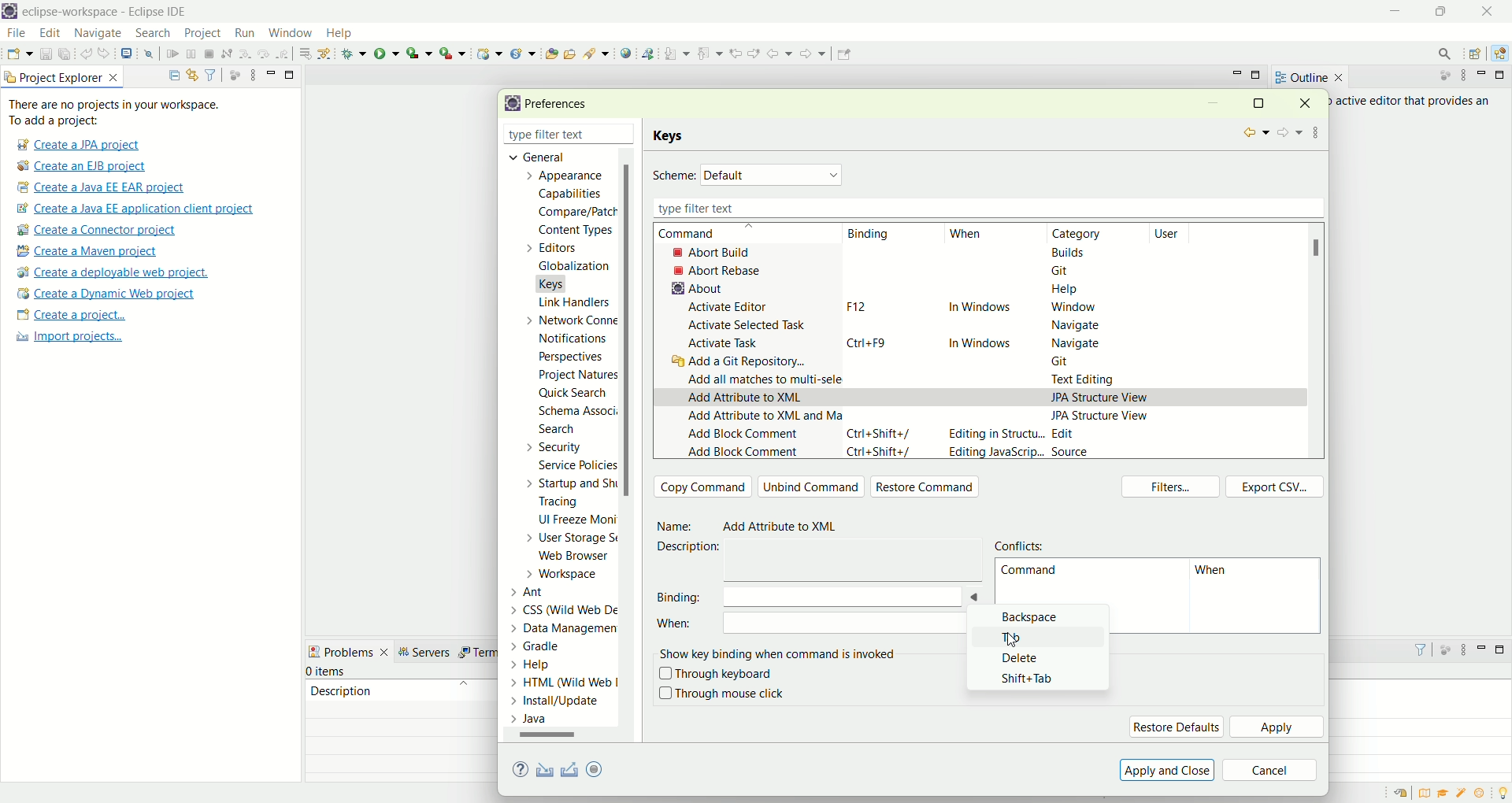 Image resolution: width=1512 pixels, height=803 pixels. What do you see at coordinates (118, 113) in the screenshot?
I see `There are no projects in your workspace. To add a project:` at bounding box center [118, 113].